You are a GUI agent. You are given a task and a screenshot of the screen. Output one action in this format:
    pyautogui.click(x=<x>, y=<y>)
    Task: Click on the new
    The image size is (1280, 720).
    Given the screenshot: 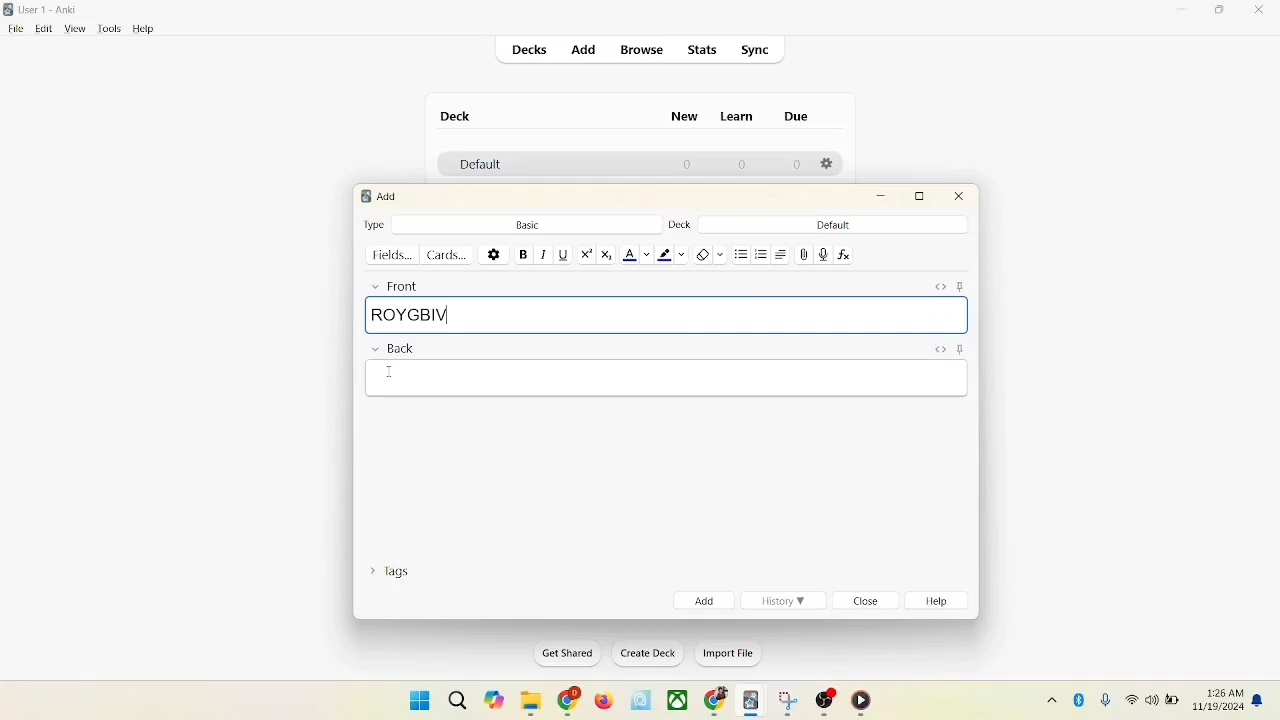 What is the action you would take?
    pyautogui.click(x=685, y=119)
    